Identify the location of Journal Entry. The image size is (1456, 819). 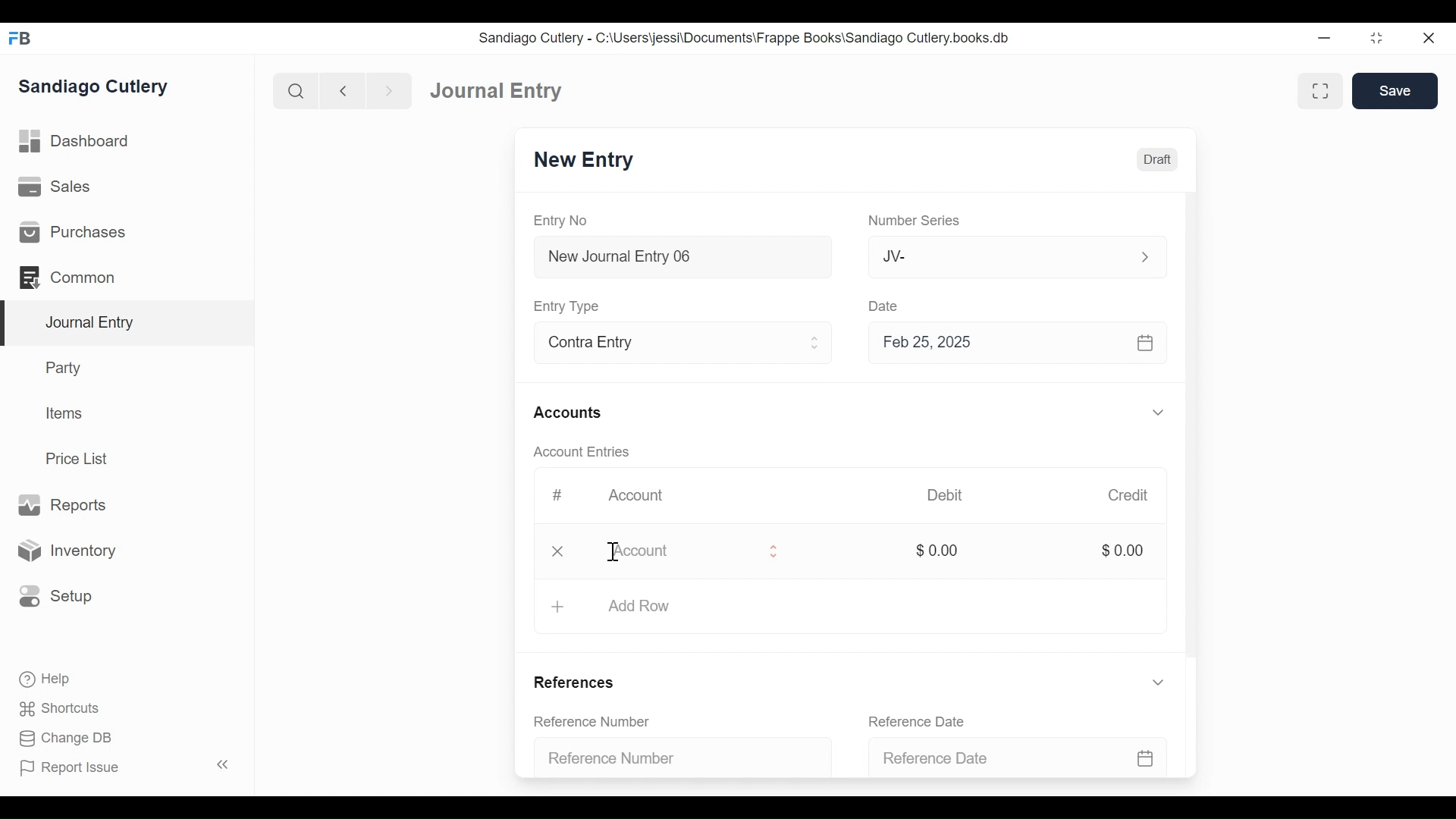
(128, 324).